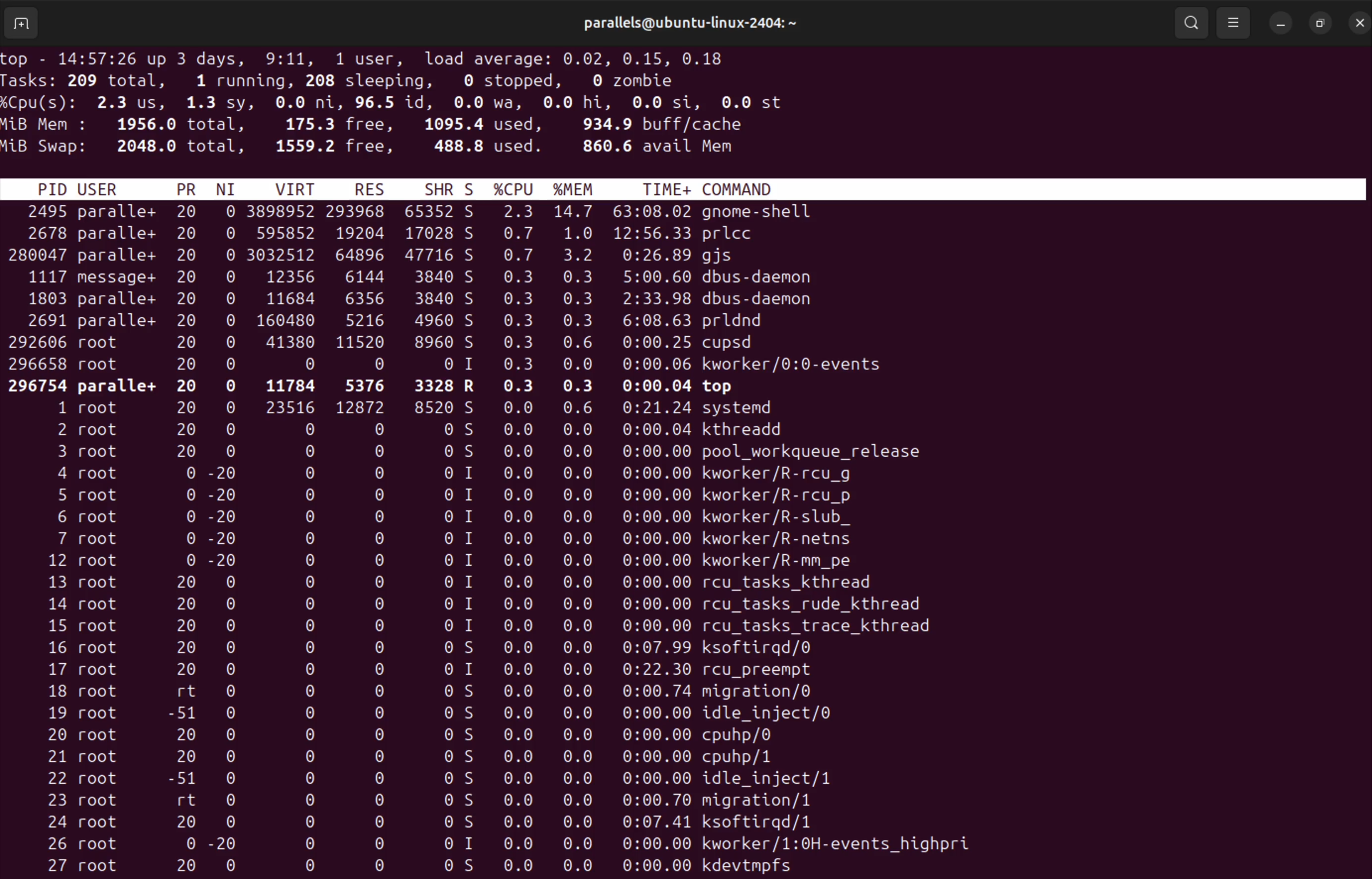  Describe the element at coordinates (697, 23) in the screenshot. I see `barallels@ubuntu-1linux-2404:-` at that location.